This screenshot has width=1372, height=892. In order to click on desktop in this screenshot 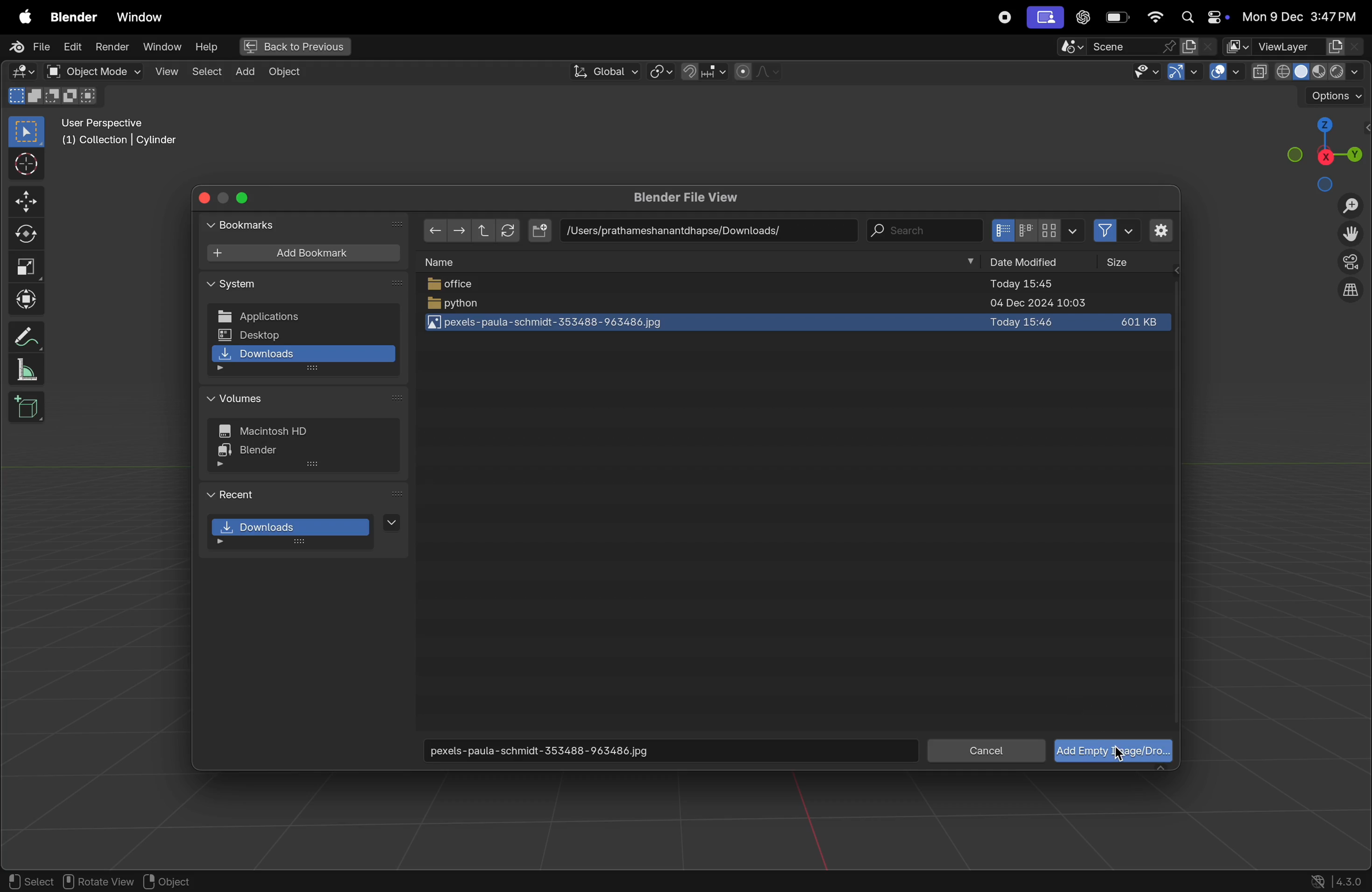, I will do `click(303, 334)`.